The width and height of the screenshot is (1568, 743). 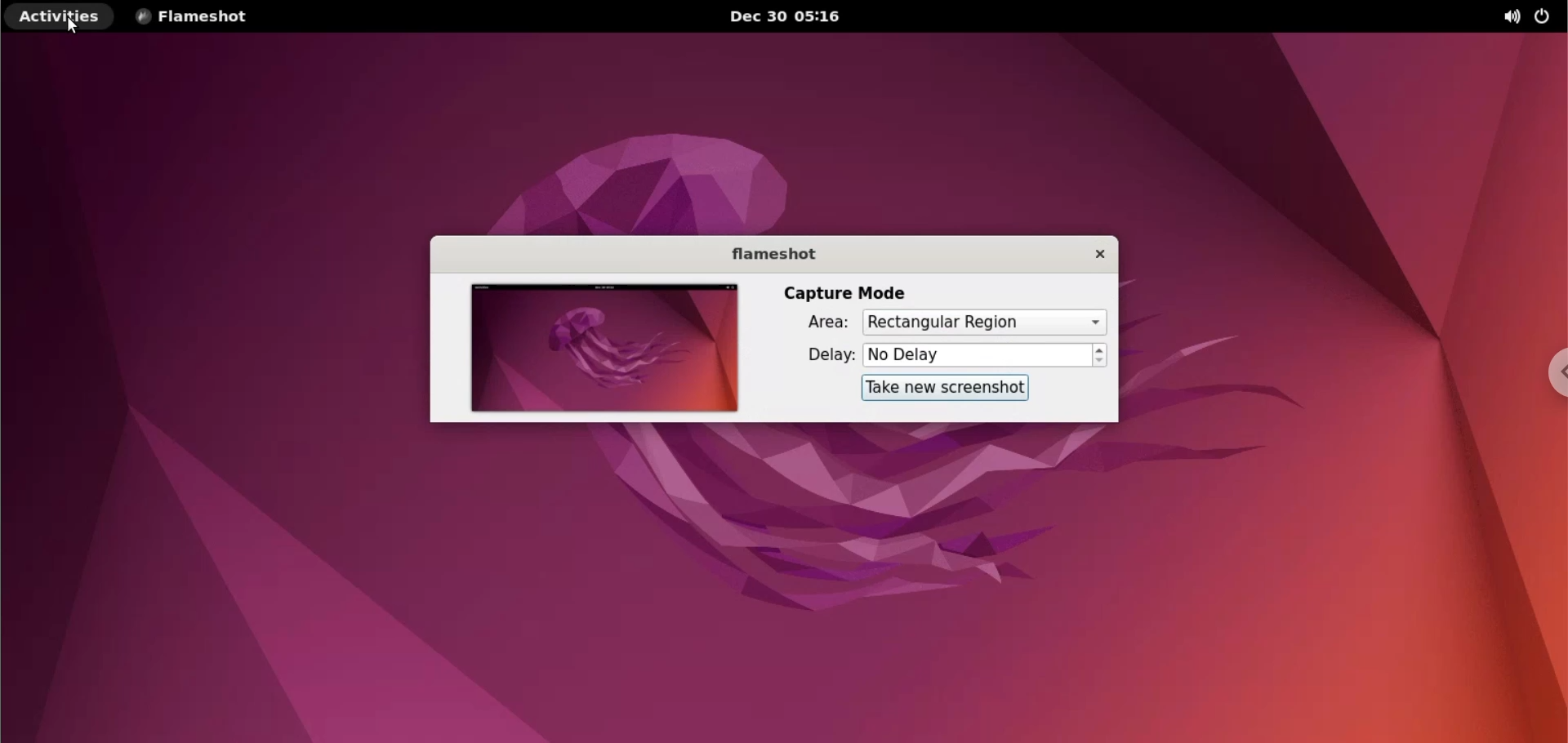 What do you see at coordinates (945, 389) in the screenshot?
I see `take new screenshot` at bounding box center [945, 389].